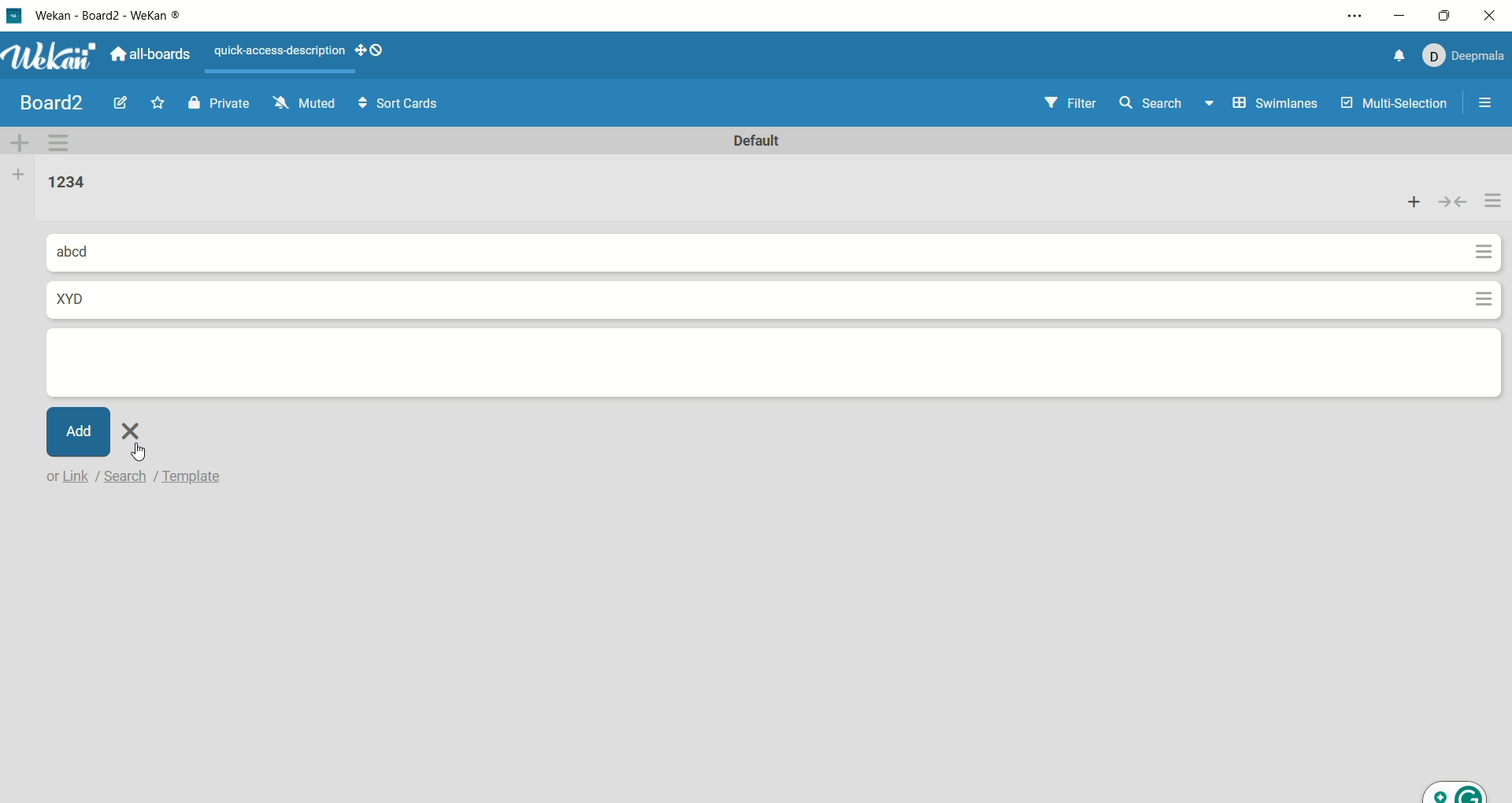 Image resolution: width=1512 pixels, height=803 pixels. What do you see at coordinates (1275, 99) in the screenshot?
I see `swimlanes` at bounding box center [1275, 99].